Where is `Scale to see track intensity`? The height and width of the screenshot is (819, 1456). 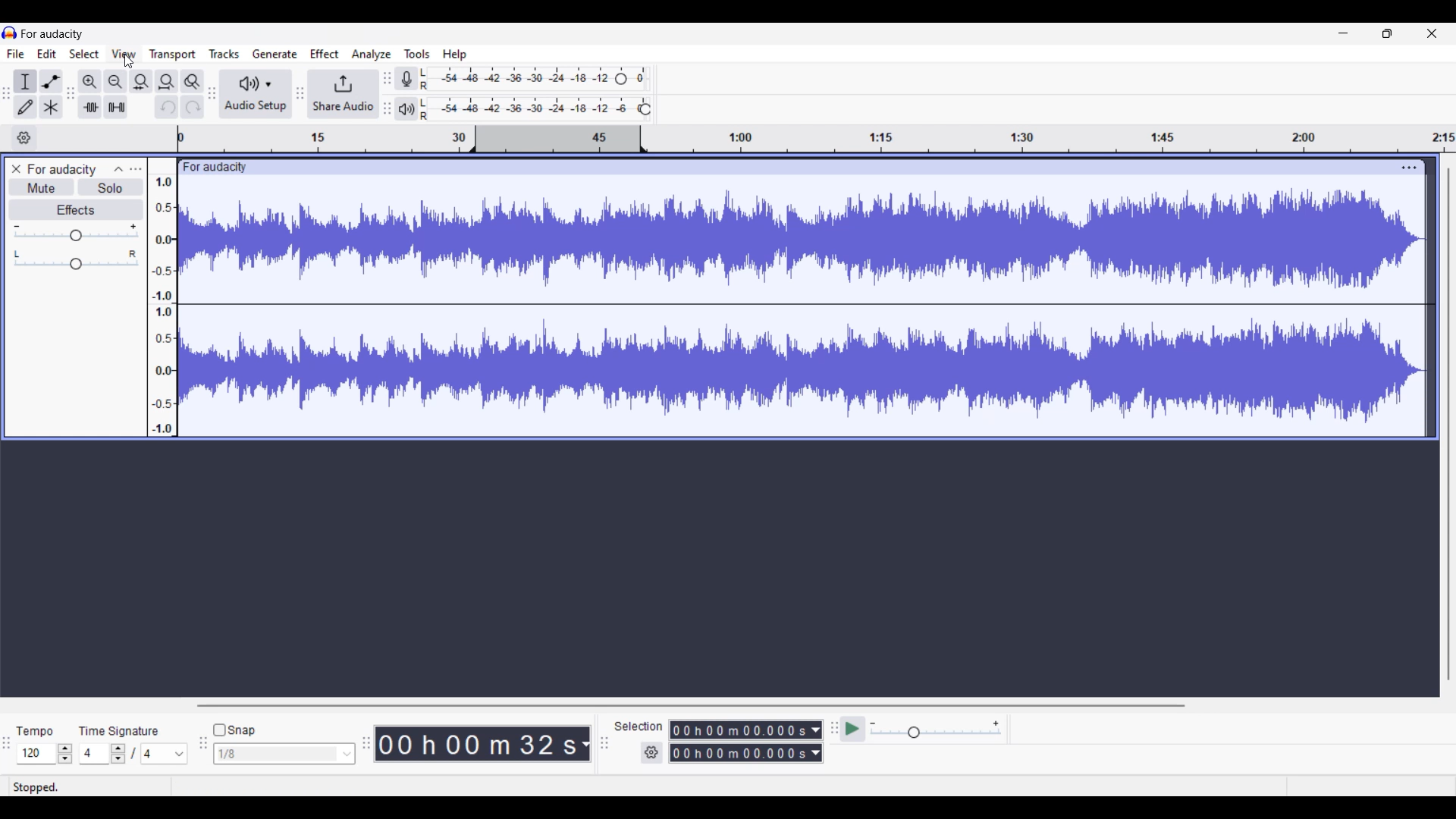
Scale to see track intensity is located at coordinates (162, 305).